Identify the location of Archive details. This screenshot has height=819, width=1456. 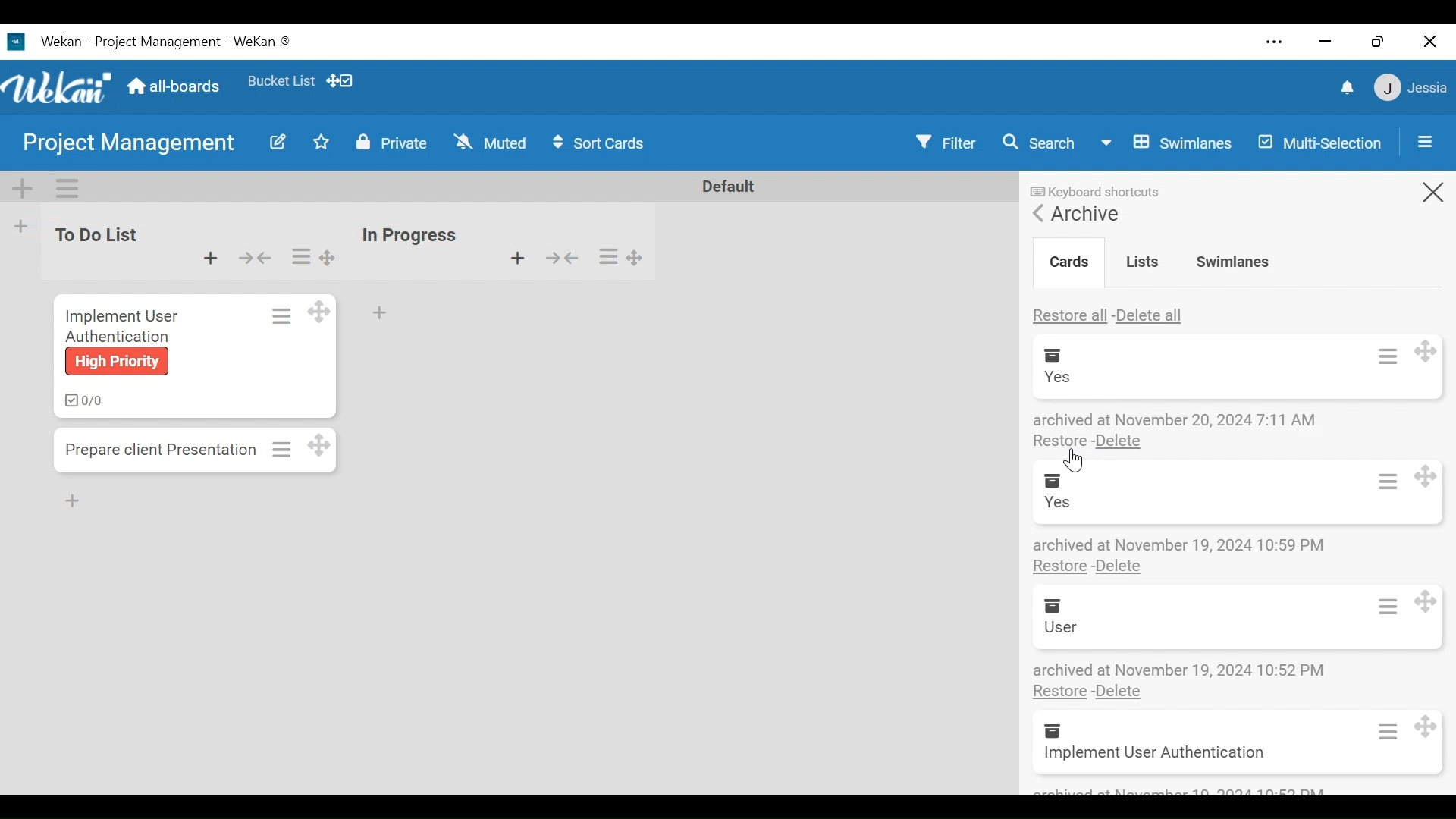
(1175, 544).